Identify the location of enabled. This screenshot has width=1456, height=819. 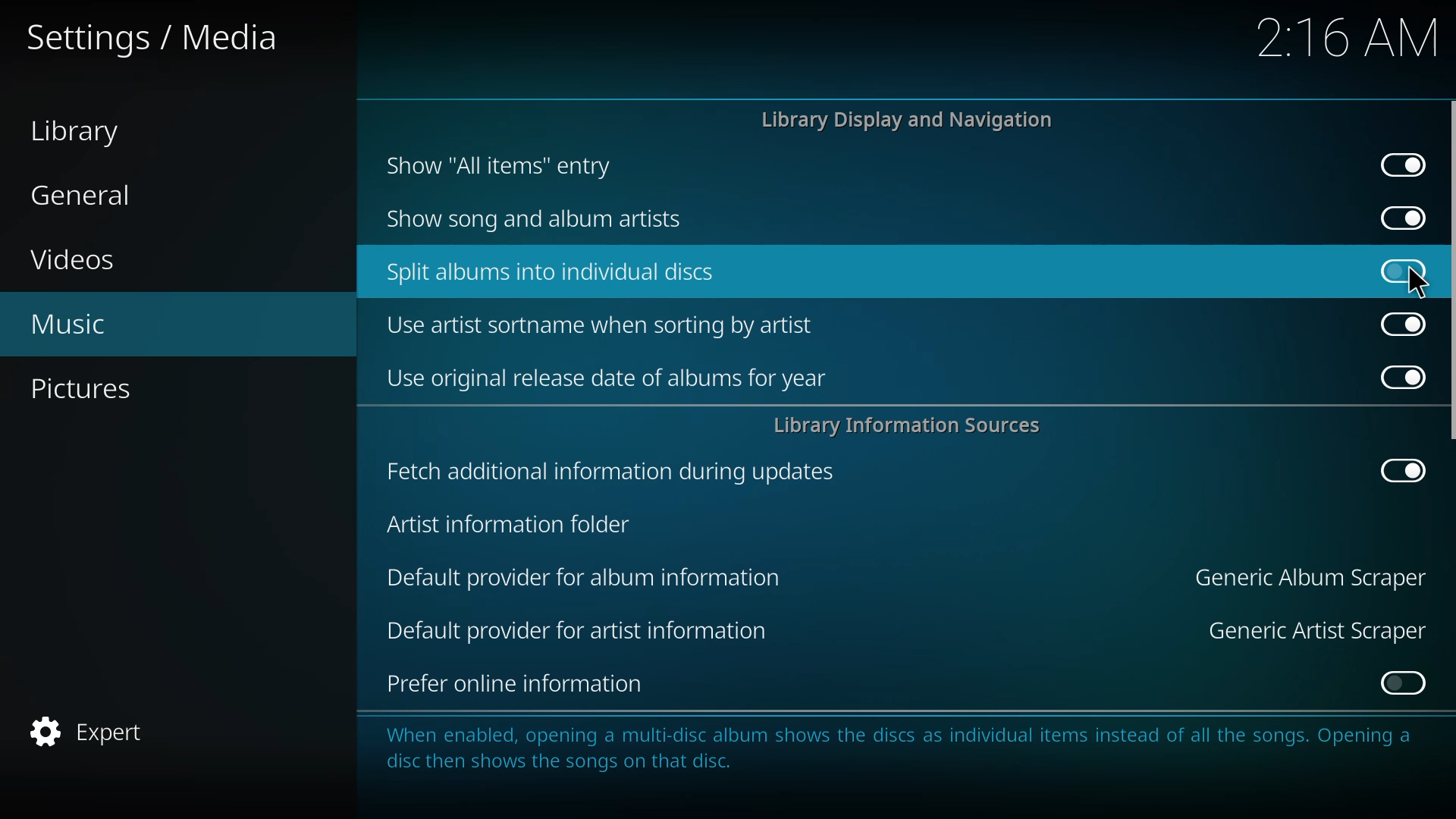
(1402, 470).